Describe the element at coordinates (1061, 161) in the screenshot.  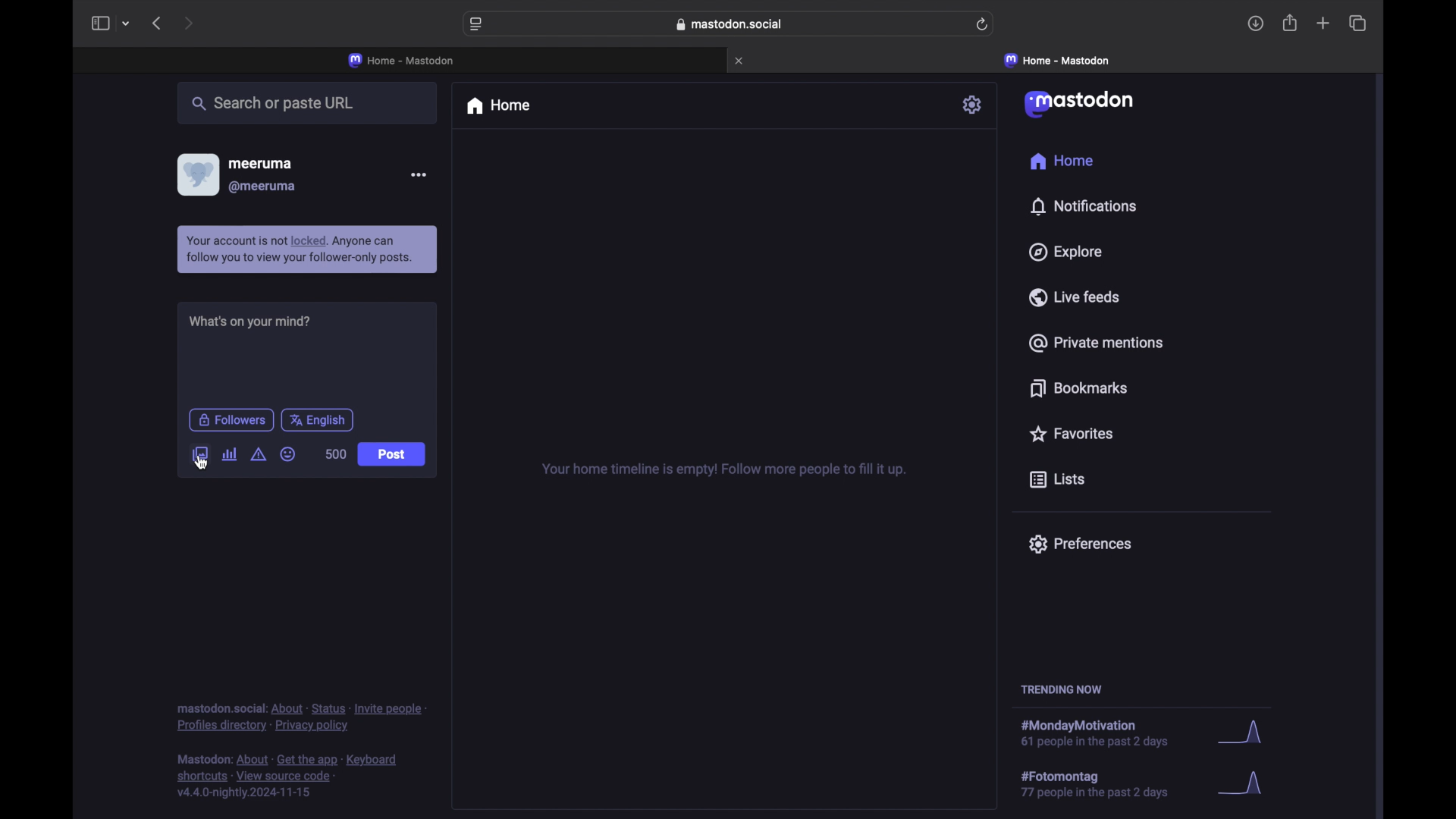
I see `home` at that location.